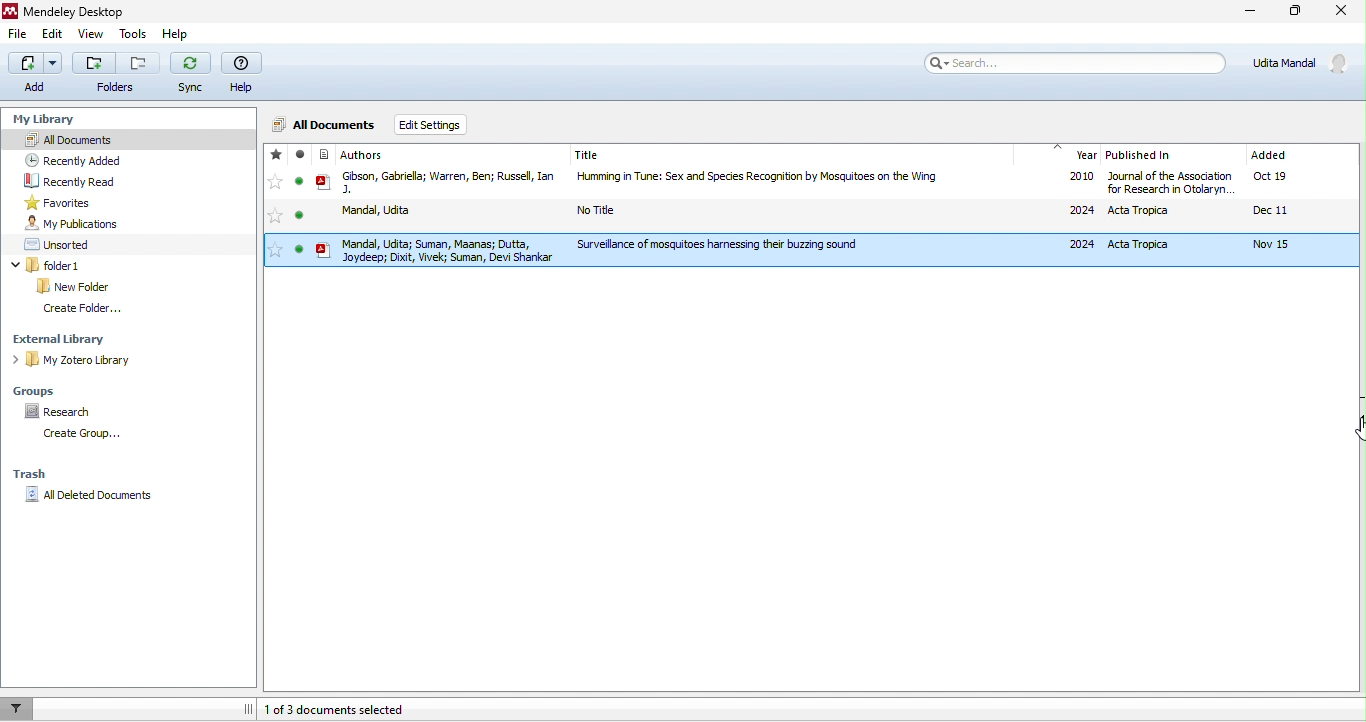  I want to click on filter, so click(23, 709).